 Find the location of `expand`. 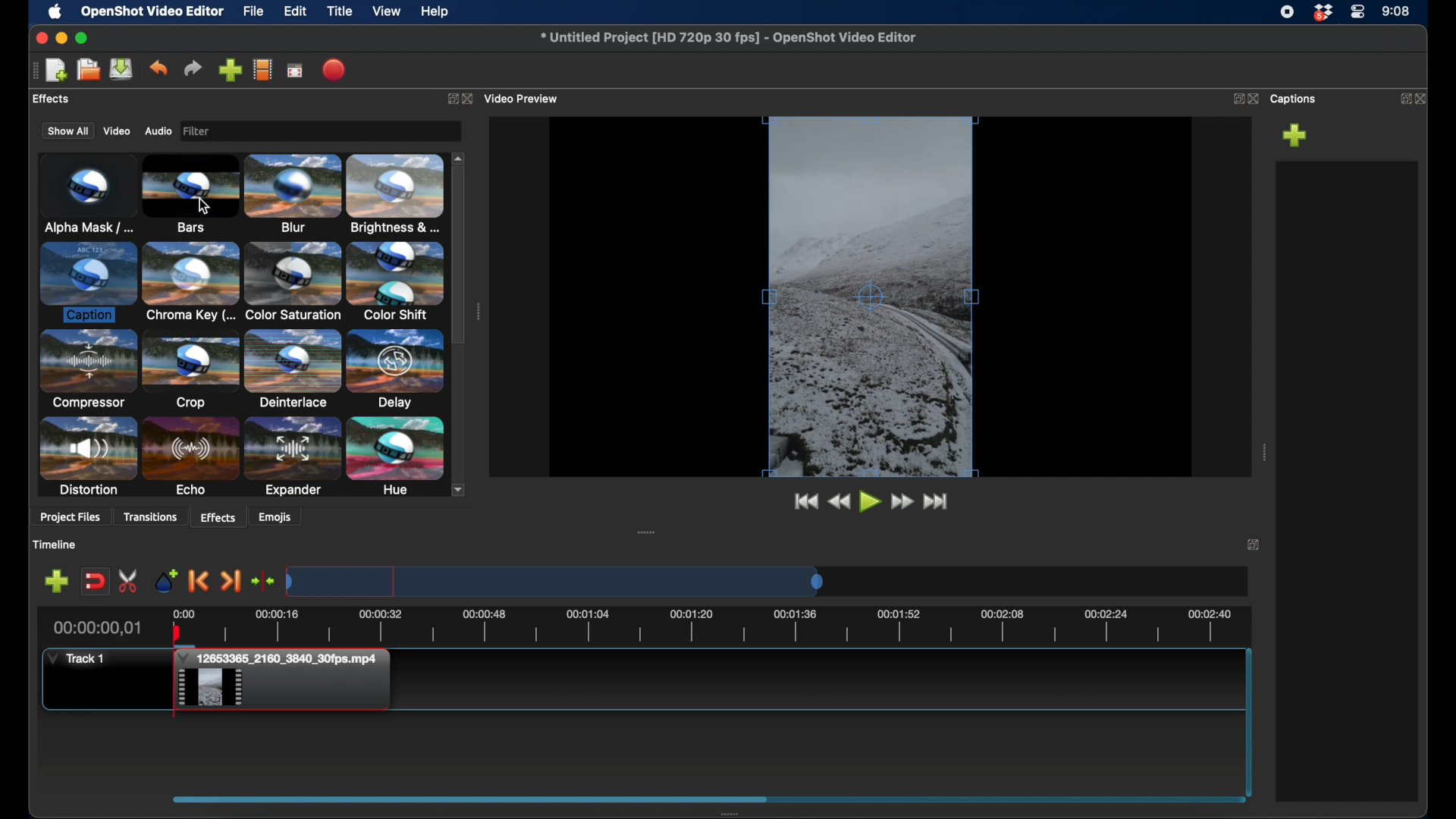

expand is located at coordinates (1254, 546).